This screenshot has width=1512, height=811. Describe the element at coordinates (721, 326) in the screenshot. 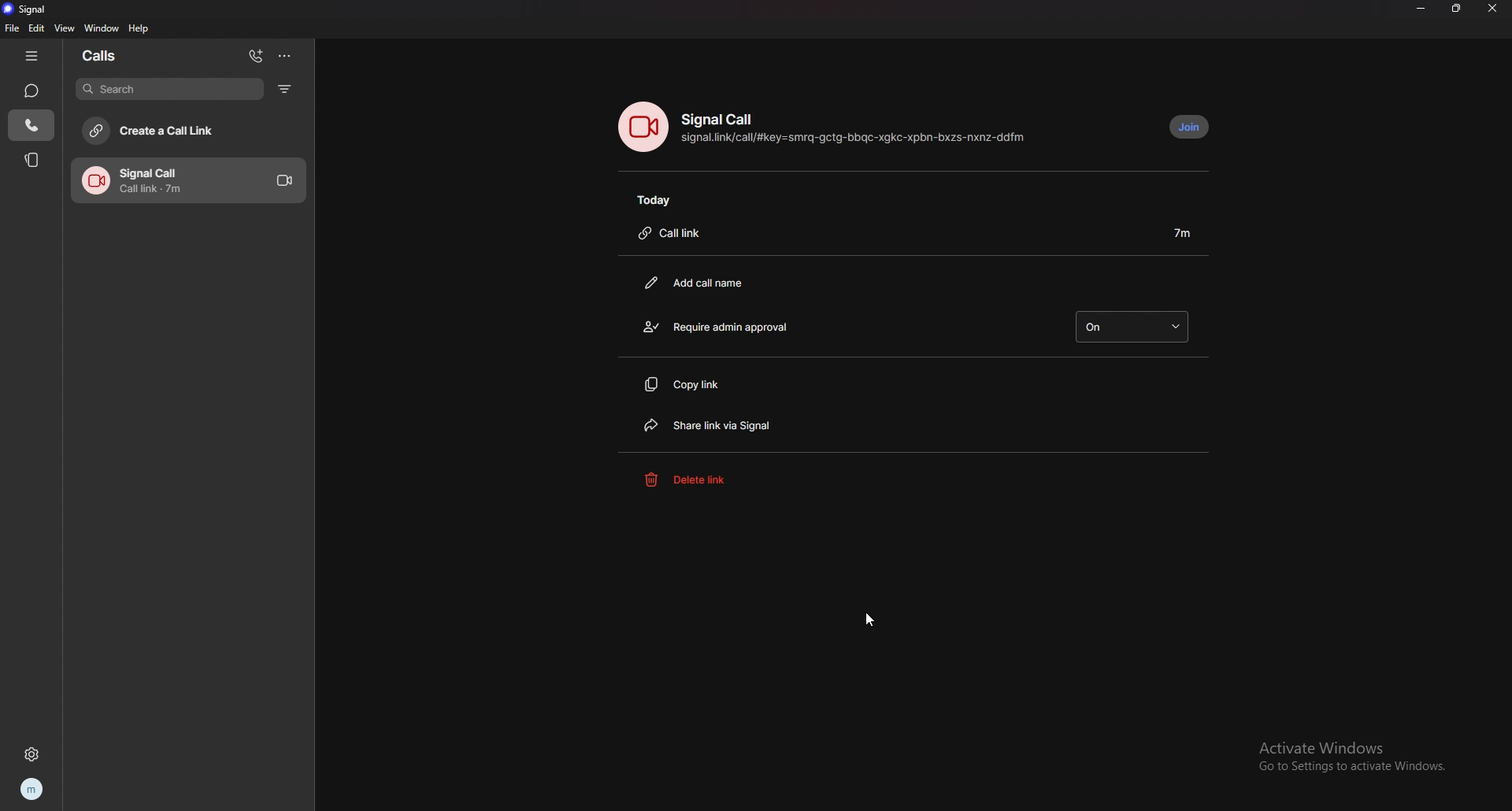

I see `require admin approval` at that location.